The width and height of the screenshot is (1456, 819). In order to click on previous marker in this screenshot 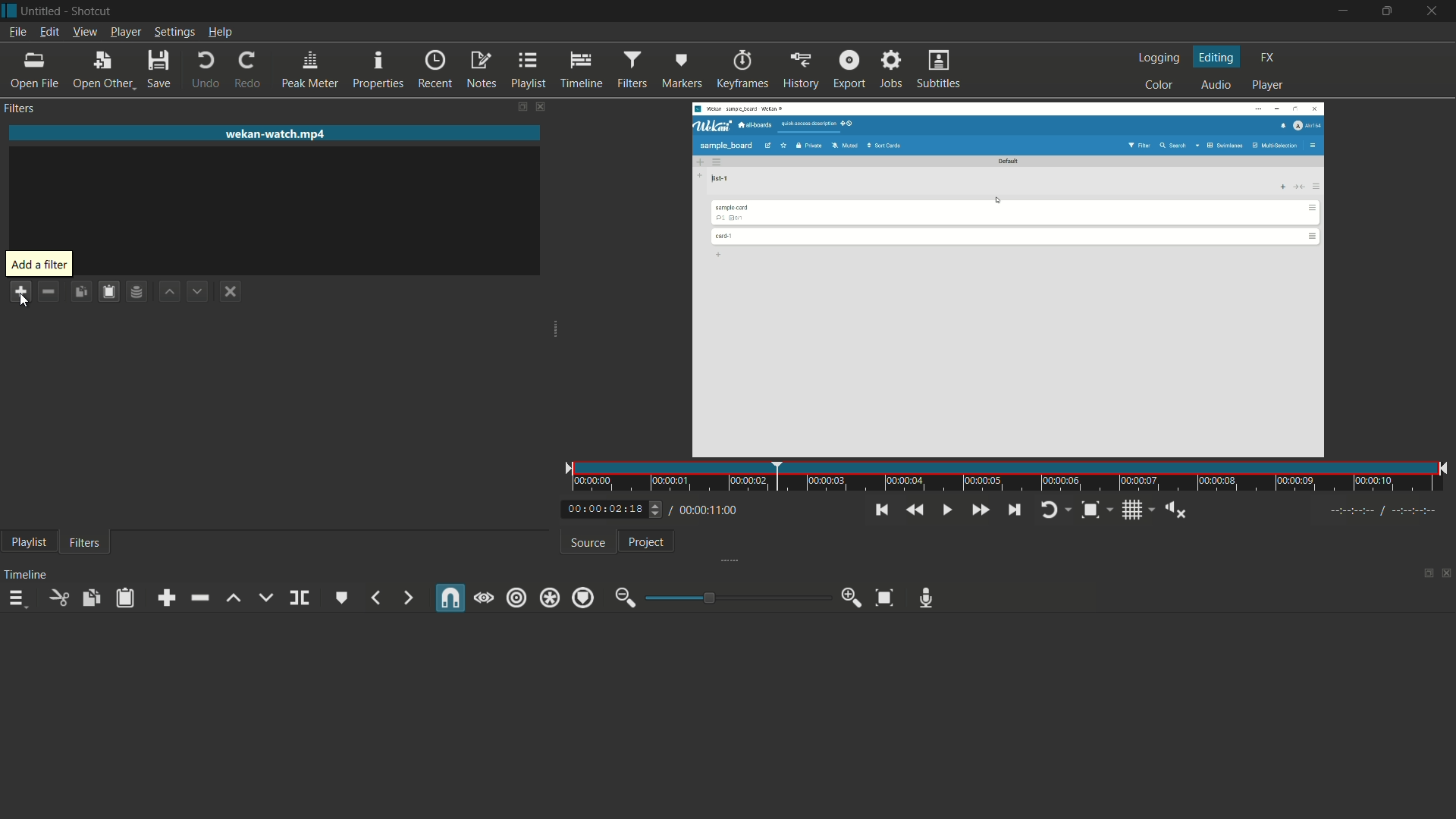, I will do `click(377, 598)`.